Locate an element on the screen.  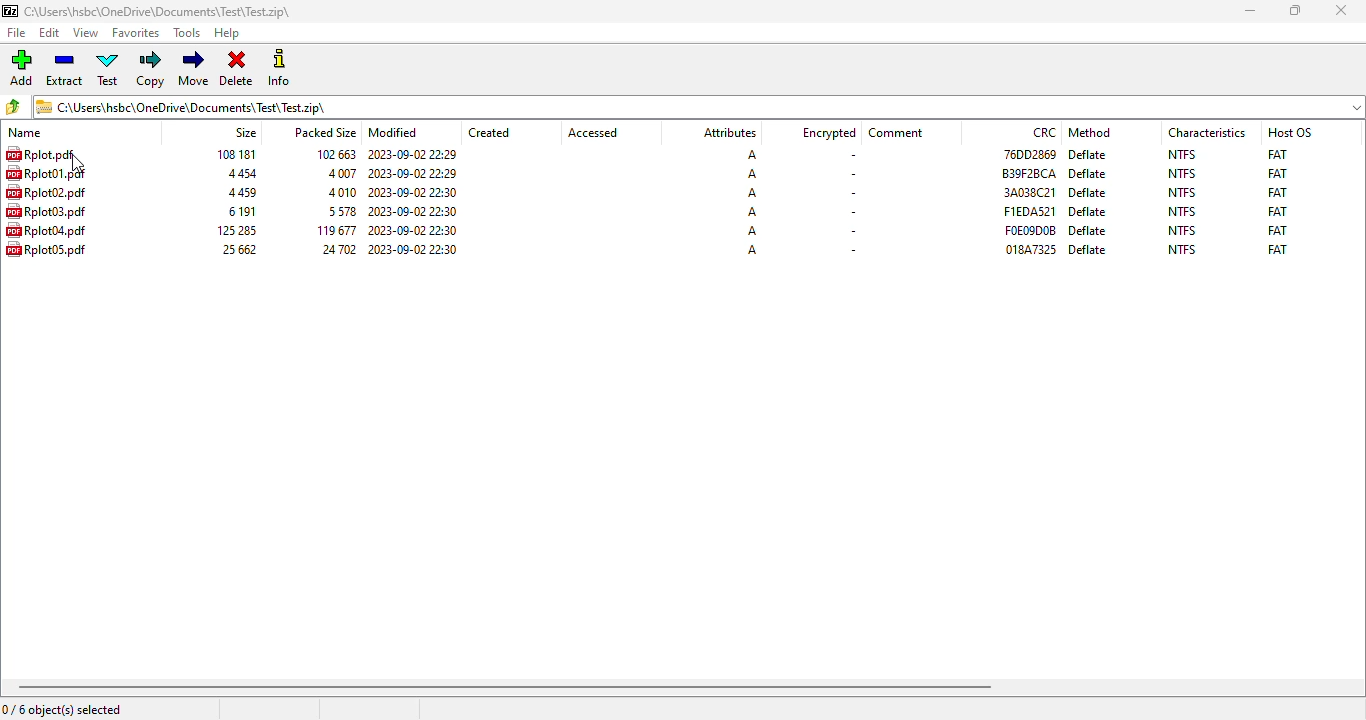
file is located at coordinates (46, 173).